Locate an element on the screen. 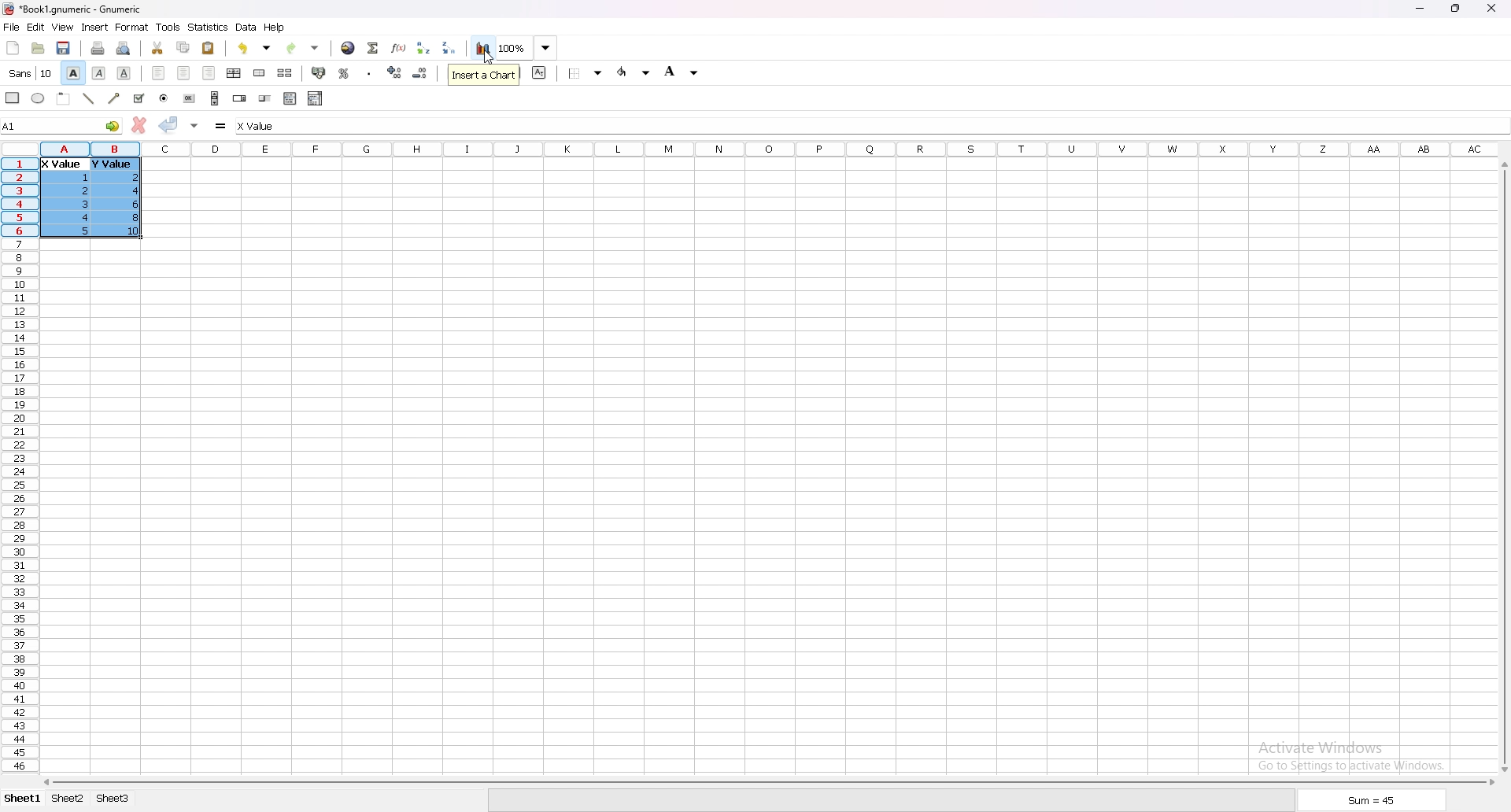 This screenshot has width=1511, height=812. left align is located at coordinates (158, 72).